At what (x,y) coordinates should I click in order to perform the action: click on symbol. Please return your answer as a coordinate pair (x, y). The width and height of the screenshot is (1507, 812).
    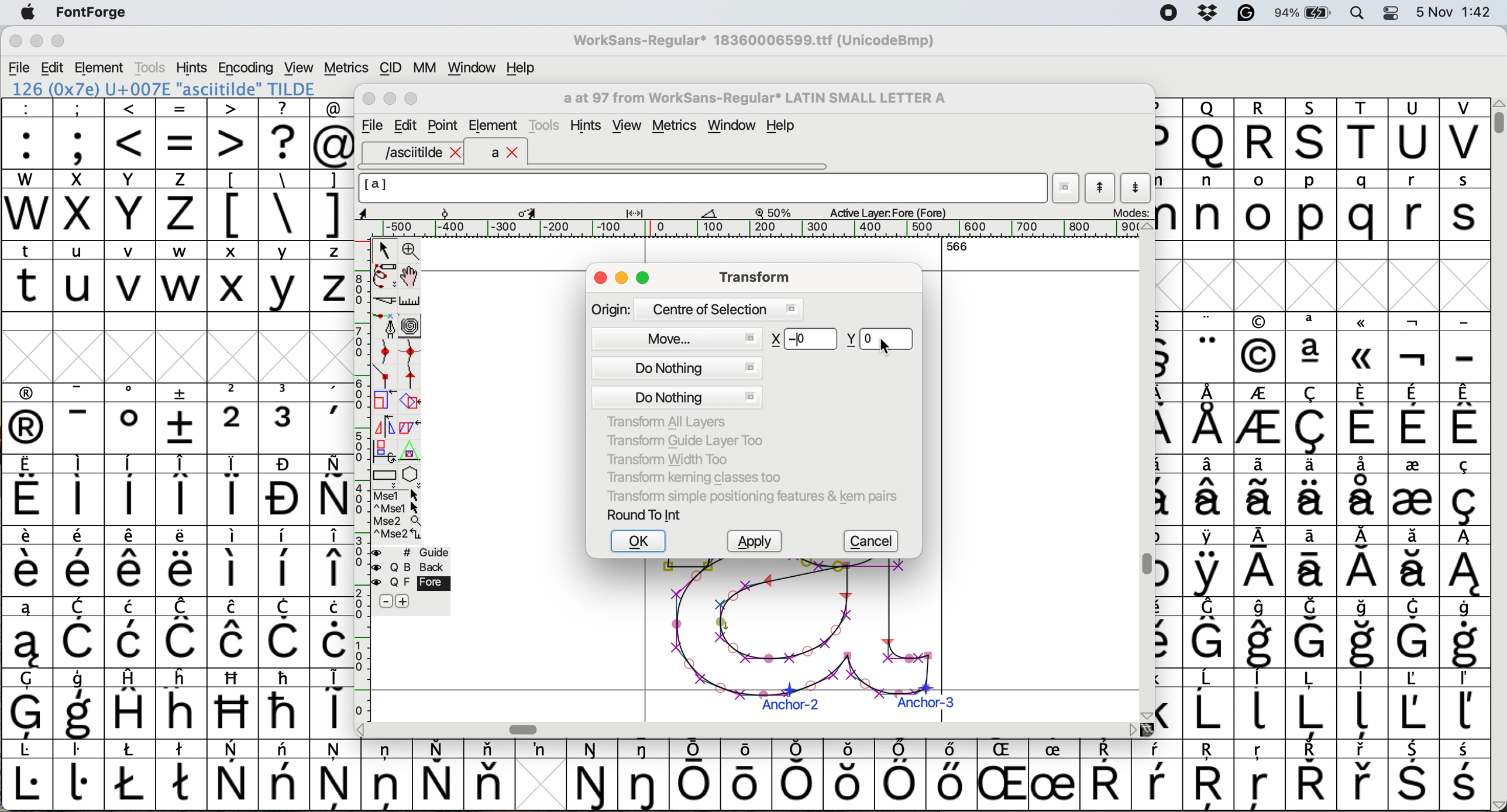
    Looking at the image, I should click on (130, 418).